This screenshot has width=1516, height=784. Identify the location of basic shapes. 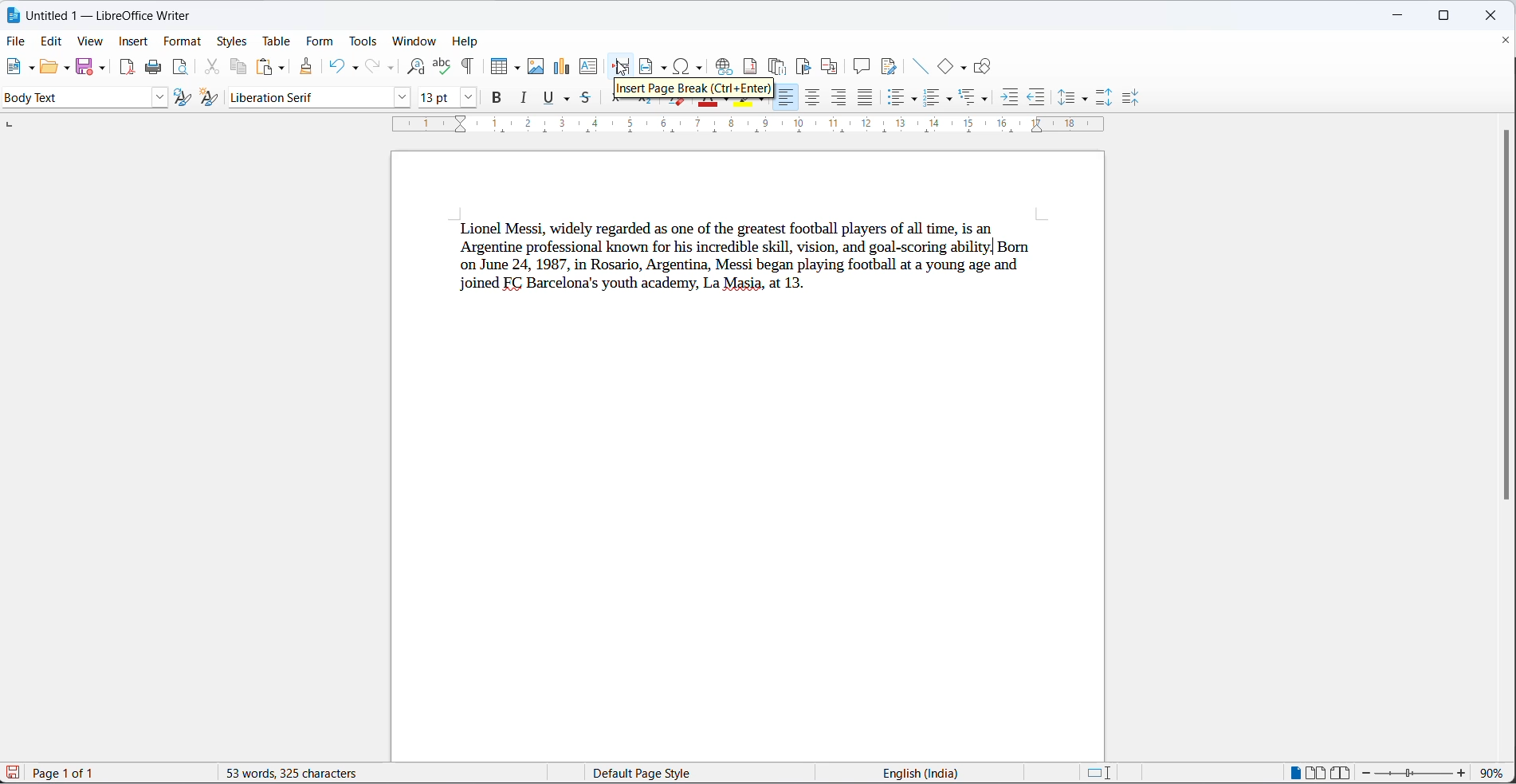
(967, 68).